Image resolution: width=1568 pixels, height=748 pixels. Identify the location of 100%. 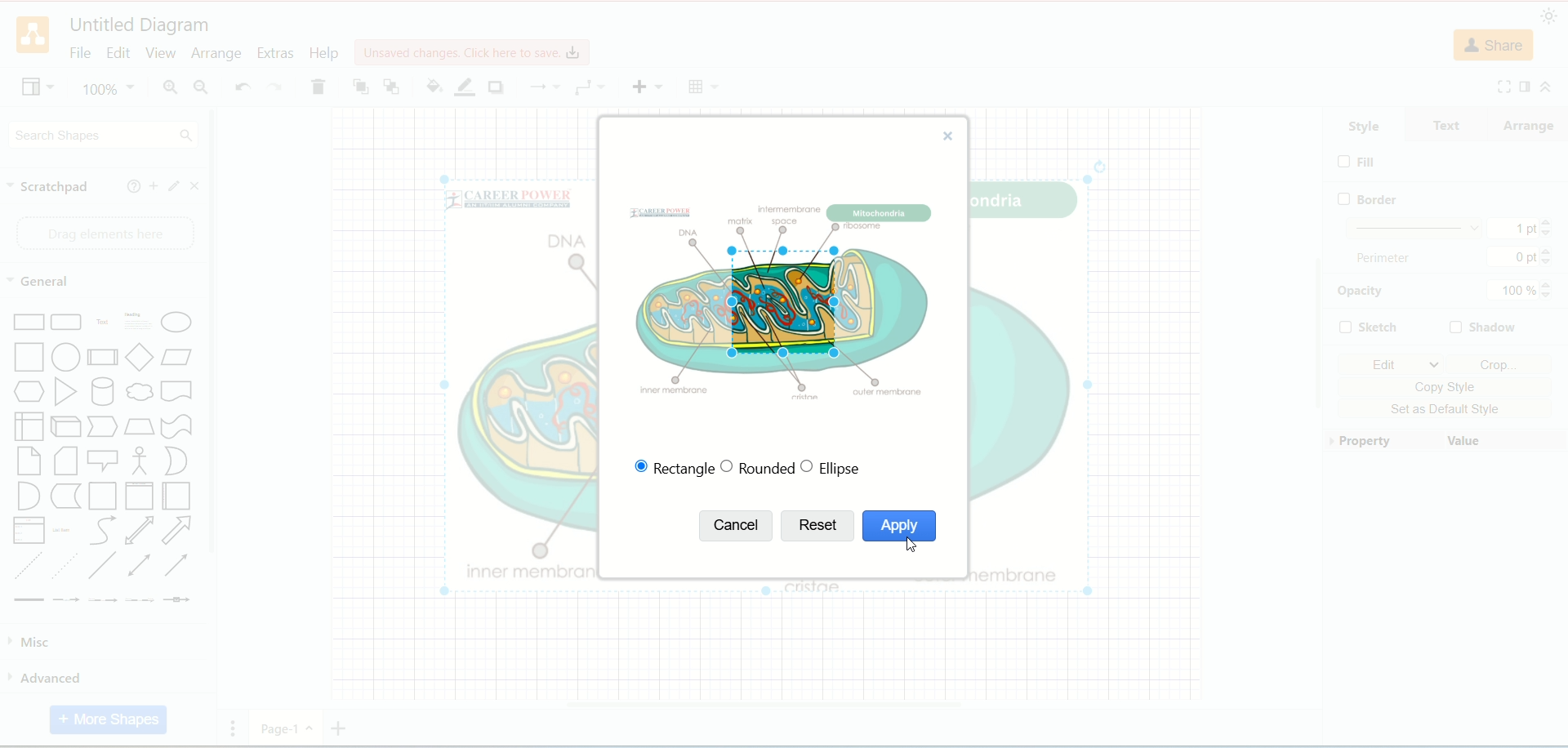
(109, 89).